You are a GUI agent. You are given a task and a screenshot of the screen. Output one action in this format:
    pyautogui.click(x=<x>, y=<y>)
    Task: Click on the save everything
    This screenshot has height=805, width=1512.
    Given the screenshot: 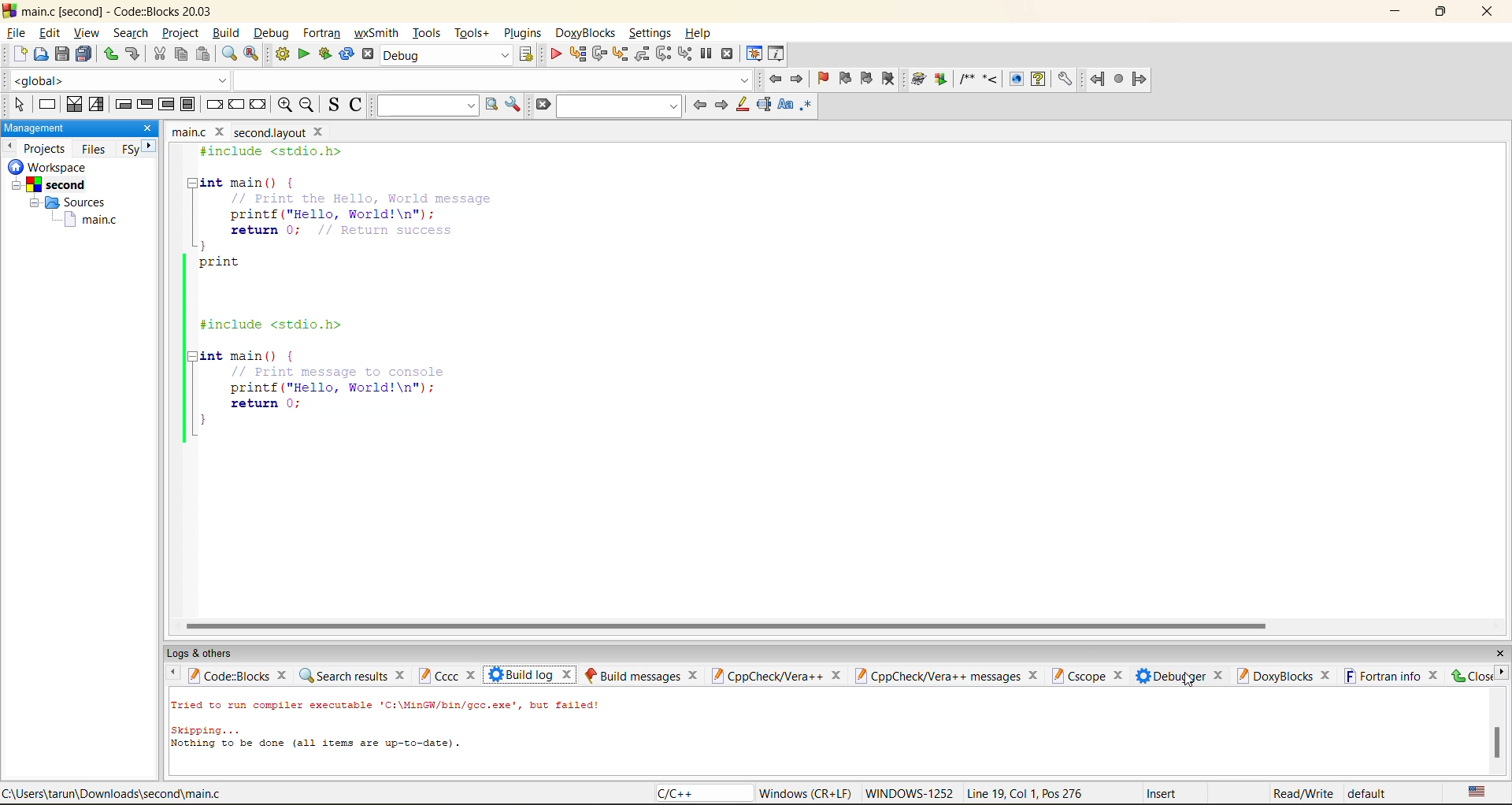 What is the action you would take?
    pyautogui.click(x=83, y=55)
    